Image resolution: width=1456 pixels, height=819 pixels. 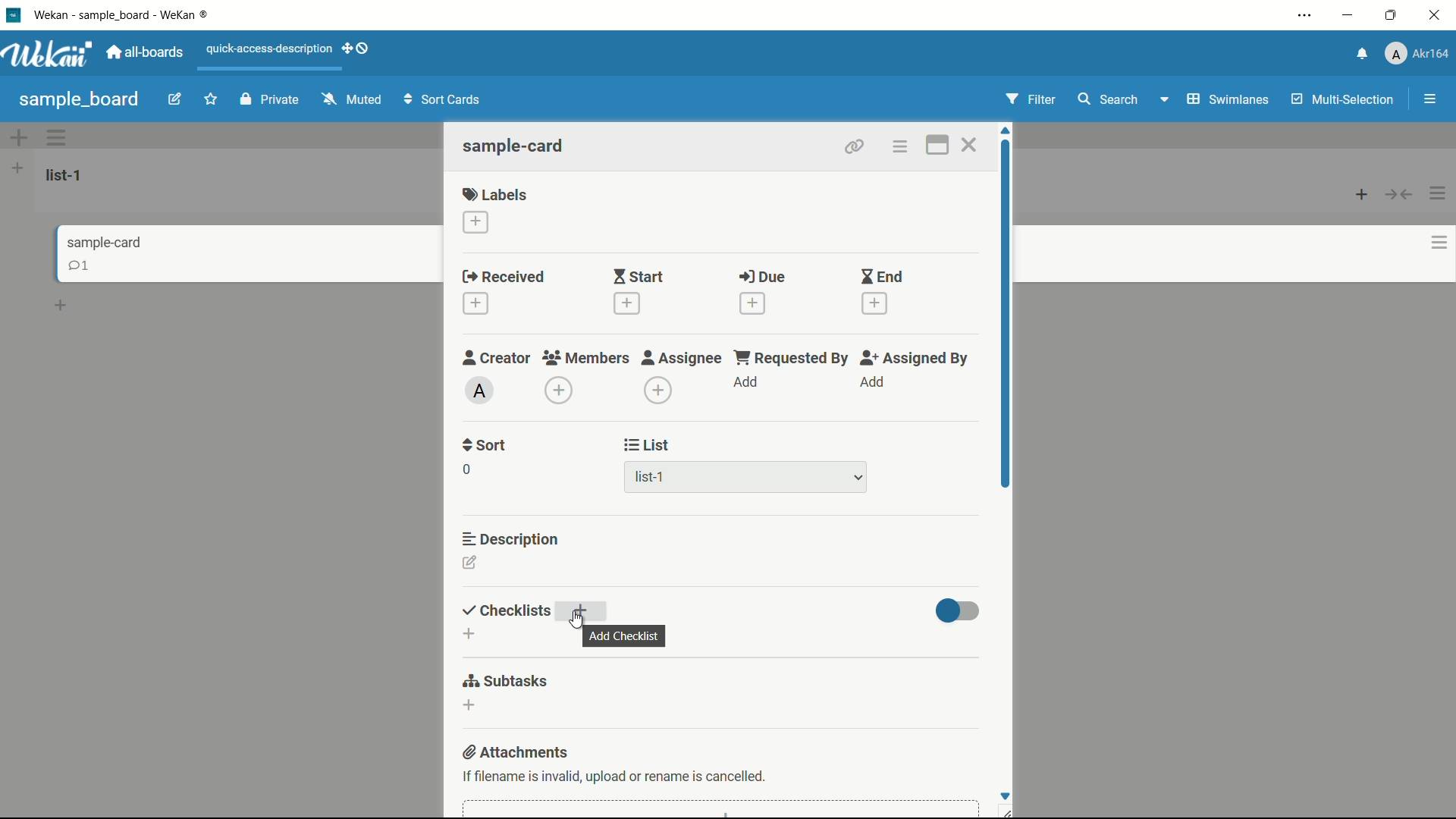 What do you see at coordinates (500, 277) in the screenshot?
I see `received` at bounding box center [500, 277].